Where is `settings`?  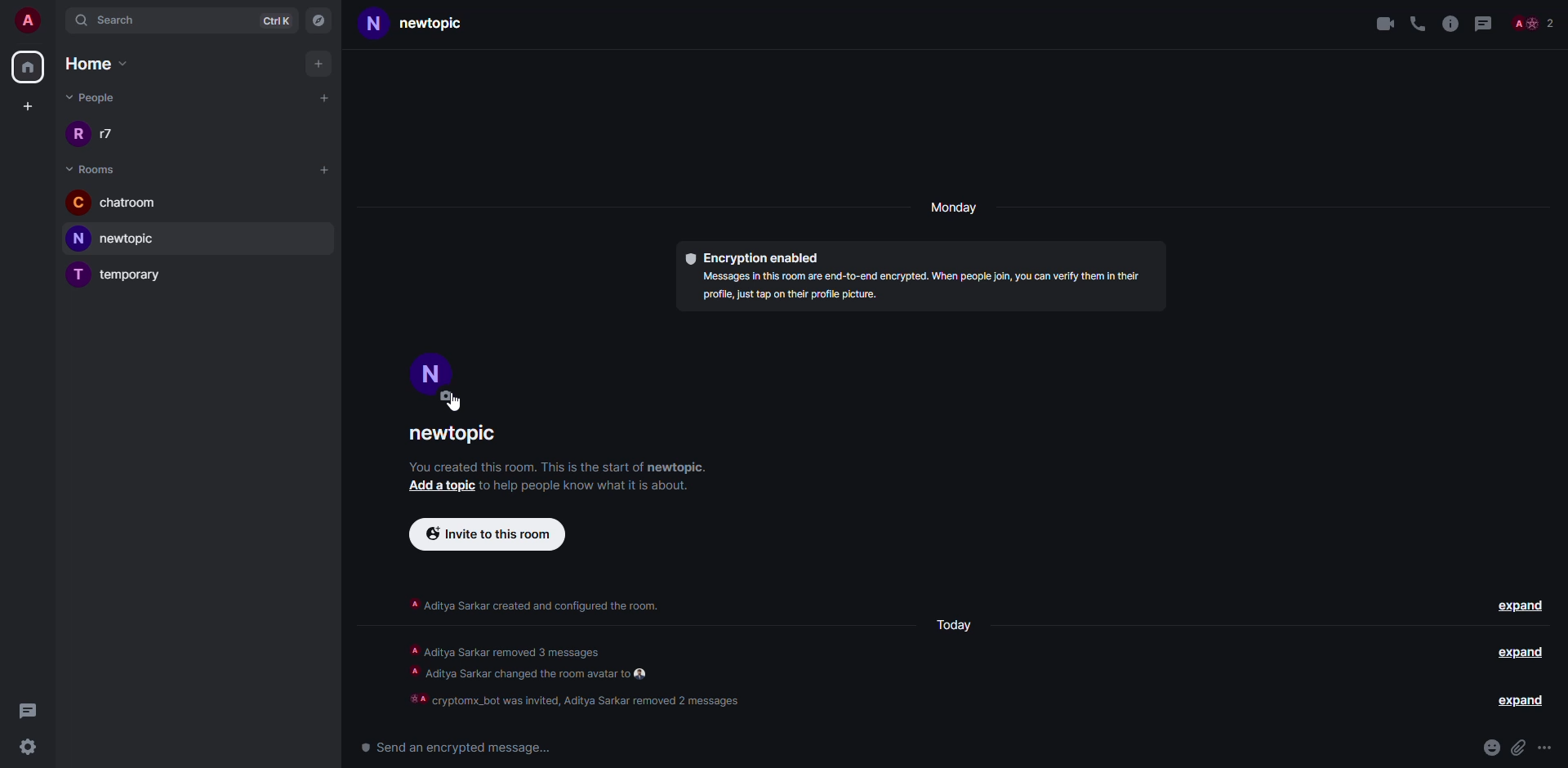 settings is located at coordinates (27, 748).